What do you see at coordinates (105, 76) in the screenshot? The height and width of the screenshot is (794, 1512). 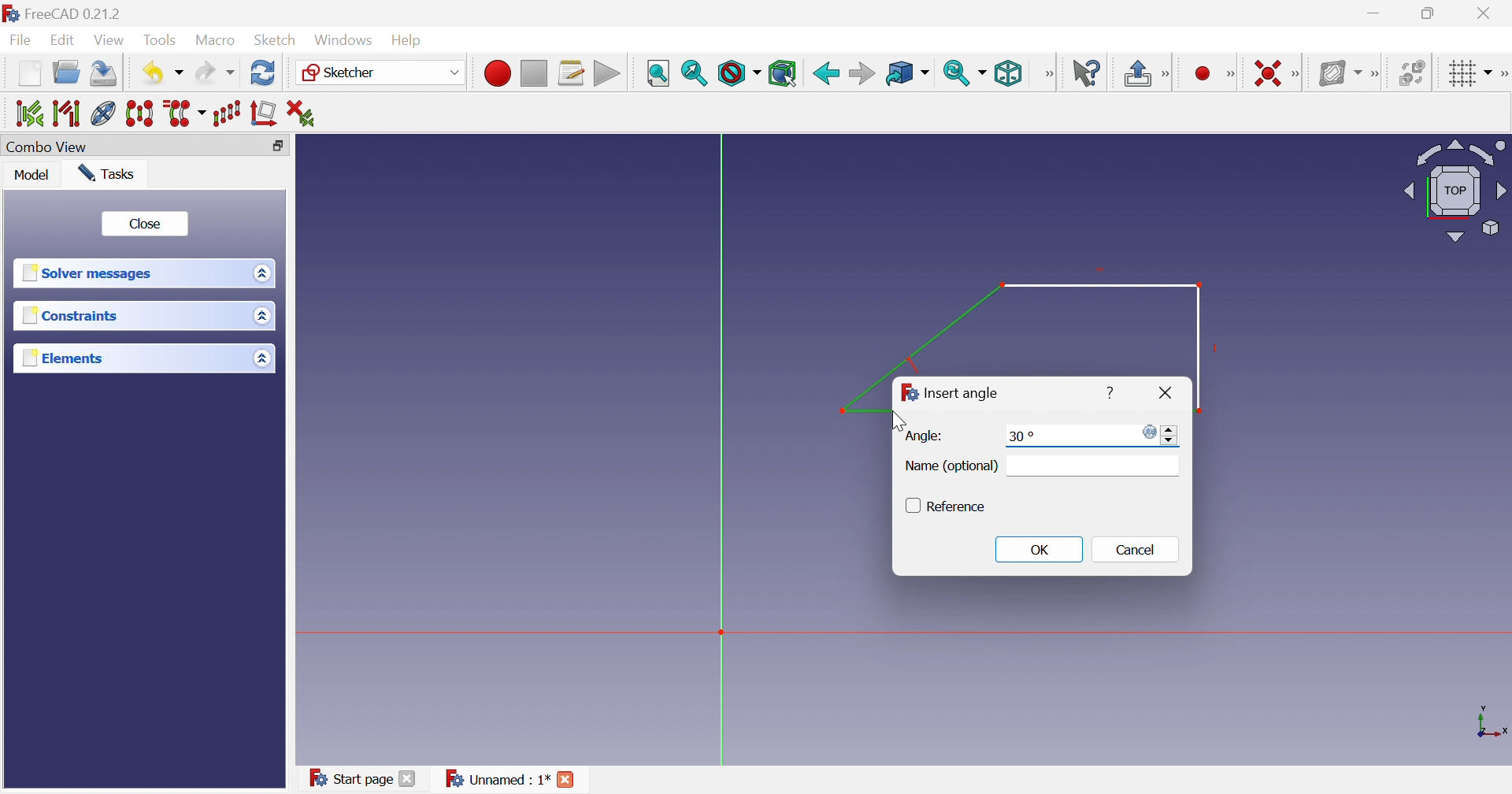 I see `Save` at bounding box center [105, 76].